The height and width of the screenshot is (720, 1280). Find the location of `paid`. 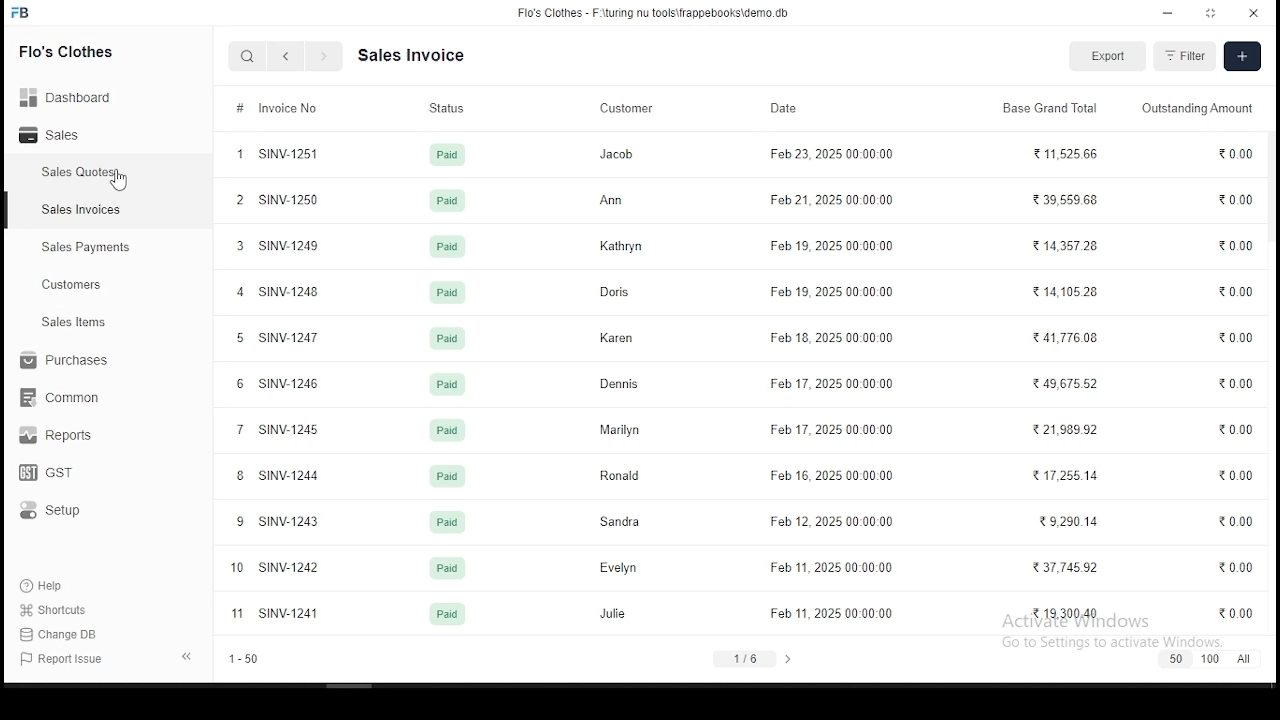

paid is located at coordinates (447, 612).